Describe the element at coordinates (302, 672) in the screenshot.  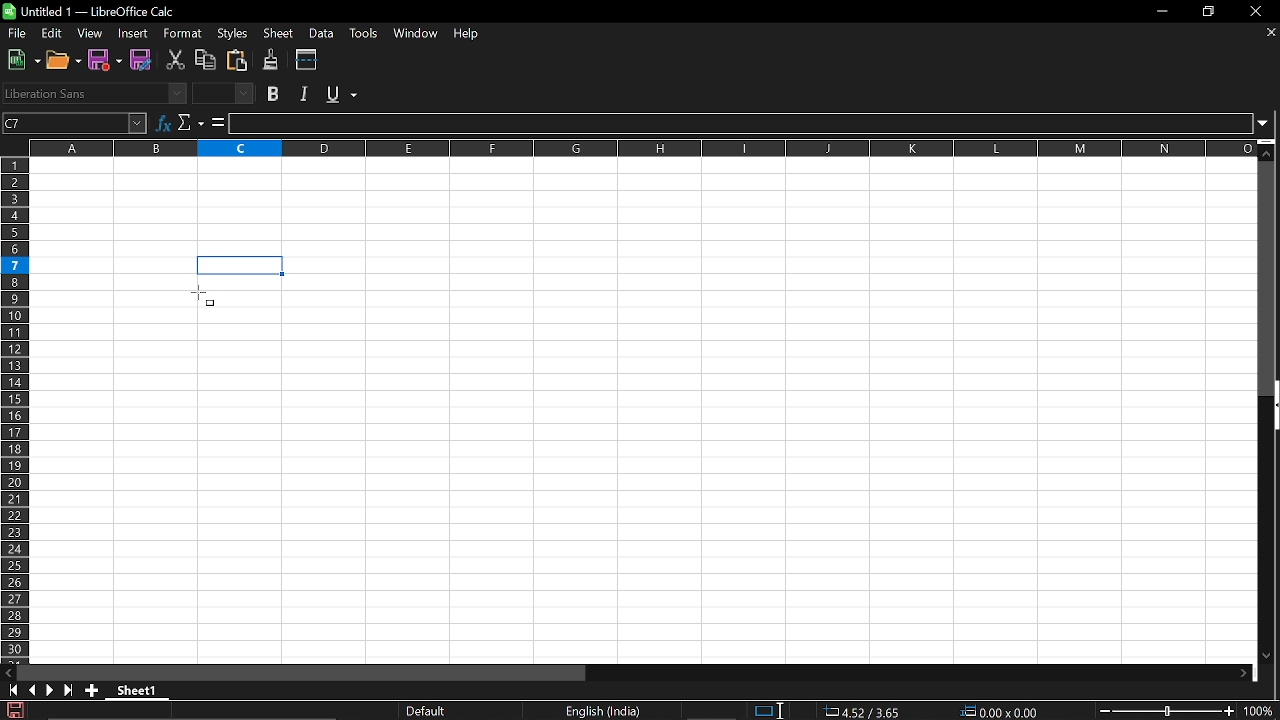
I see `Horizontal scrollbar` at that location.